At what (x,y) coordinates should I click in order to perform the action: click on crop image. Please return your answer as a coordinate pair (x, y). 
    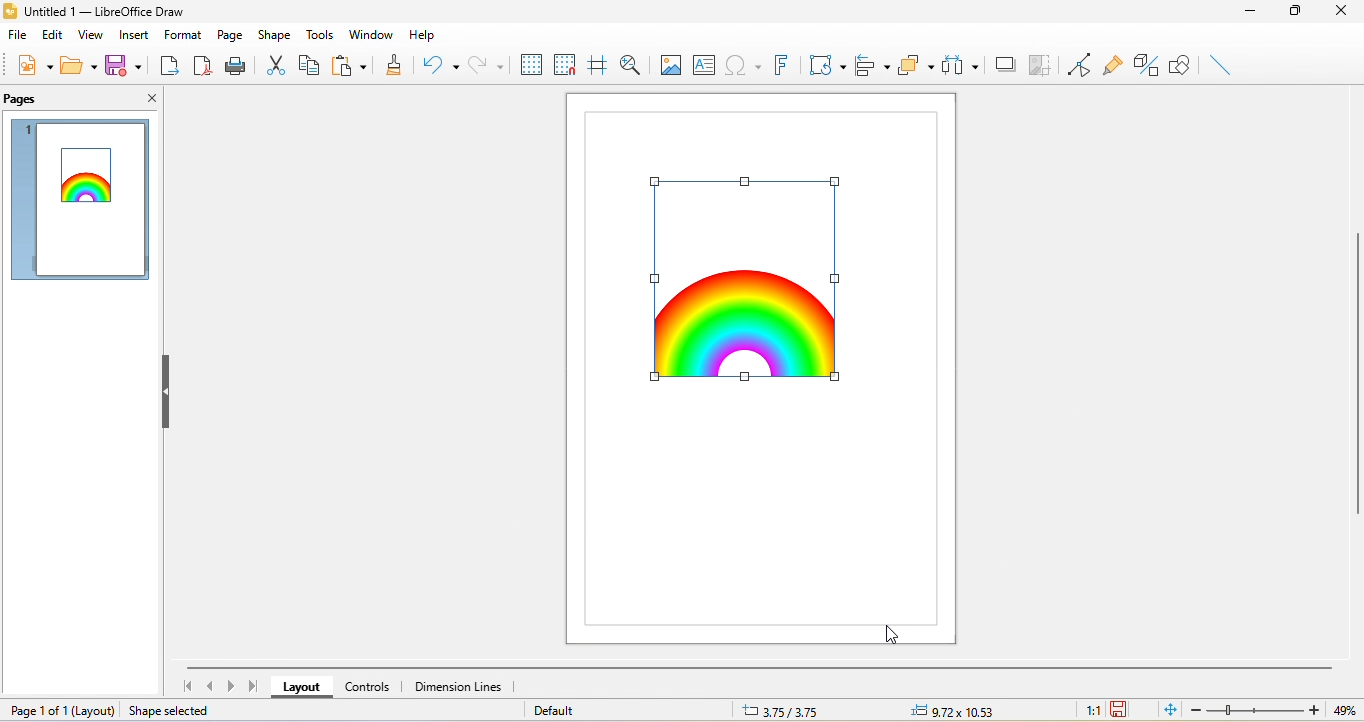
    Looking at the image, I should click on (1041, 66).